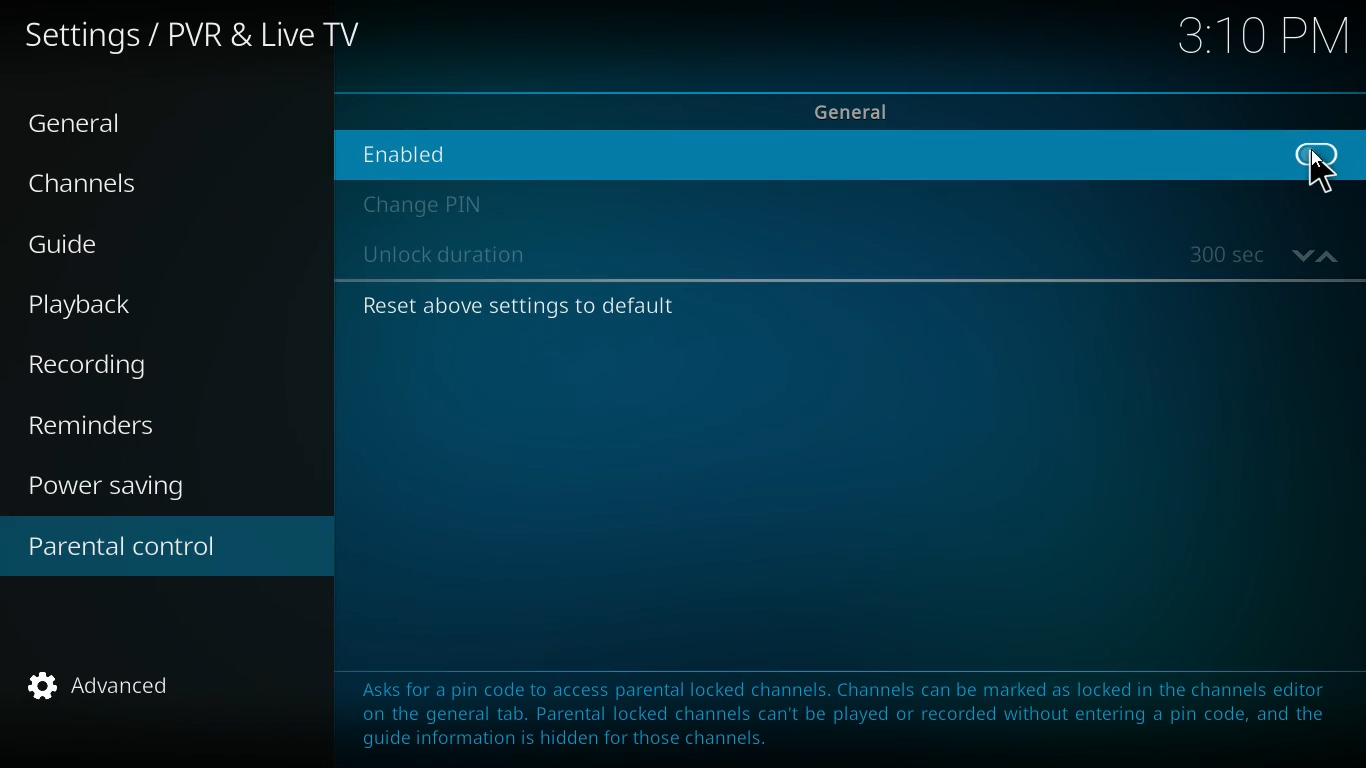 The image size is (1366, 768). What do you see at coordinates (101, 427) in the screenshot?
I see `reminders` at bounding box center [101, 427].